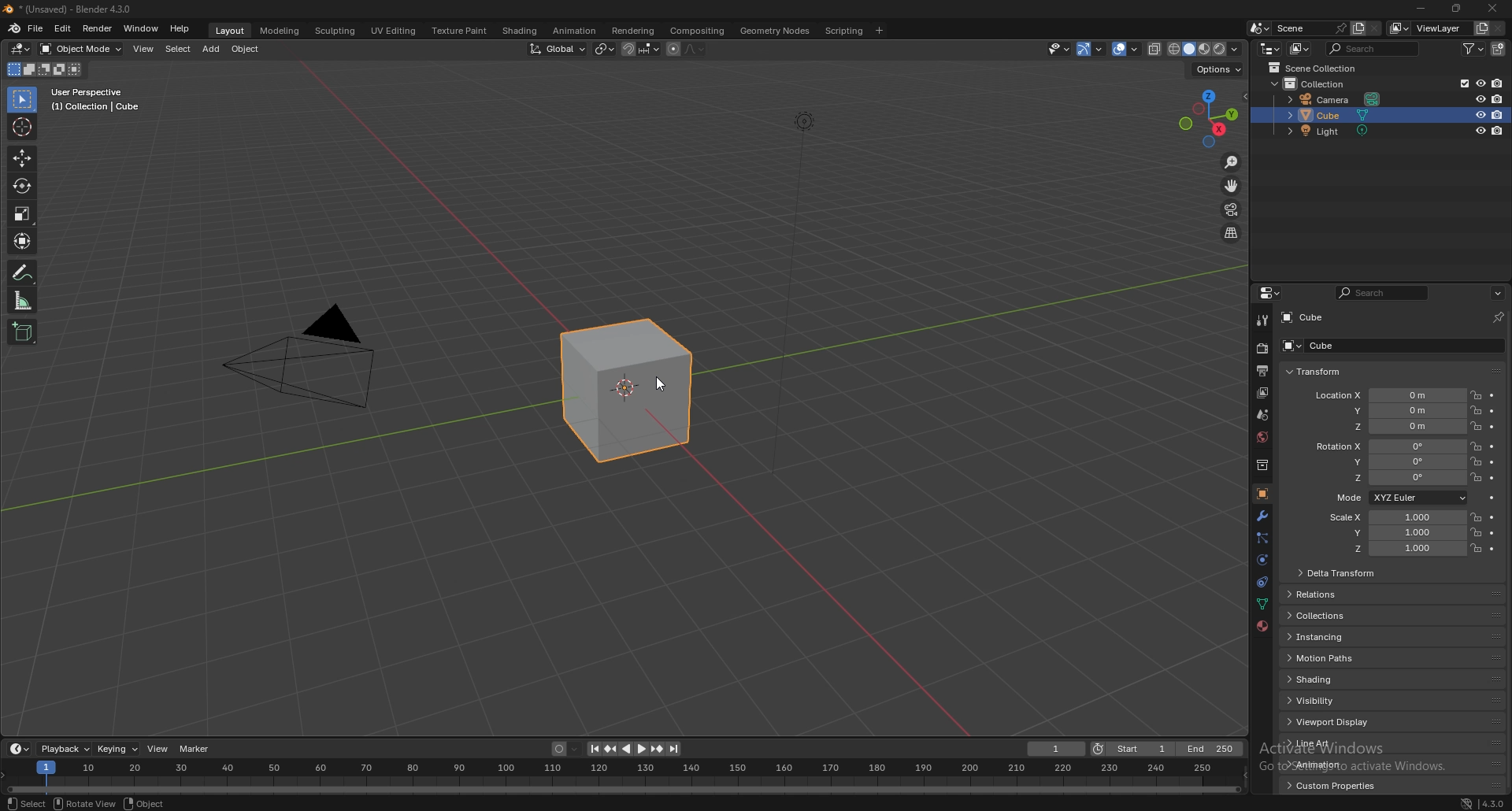 This screenshot has height=811, width=1512. I want to click on blender, so click(14, 29).